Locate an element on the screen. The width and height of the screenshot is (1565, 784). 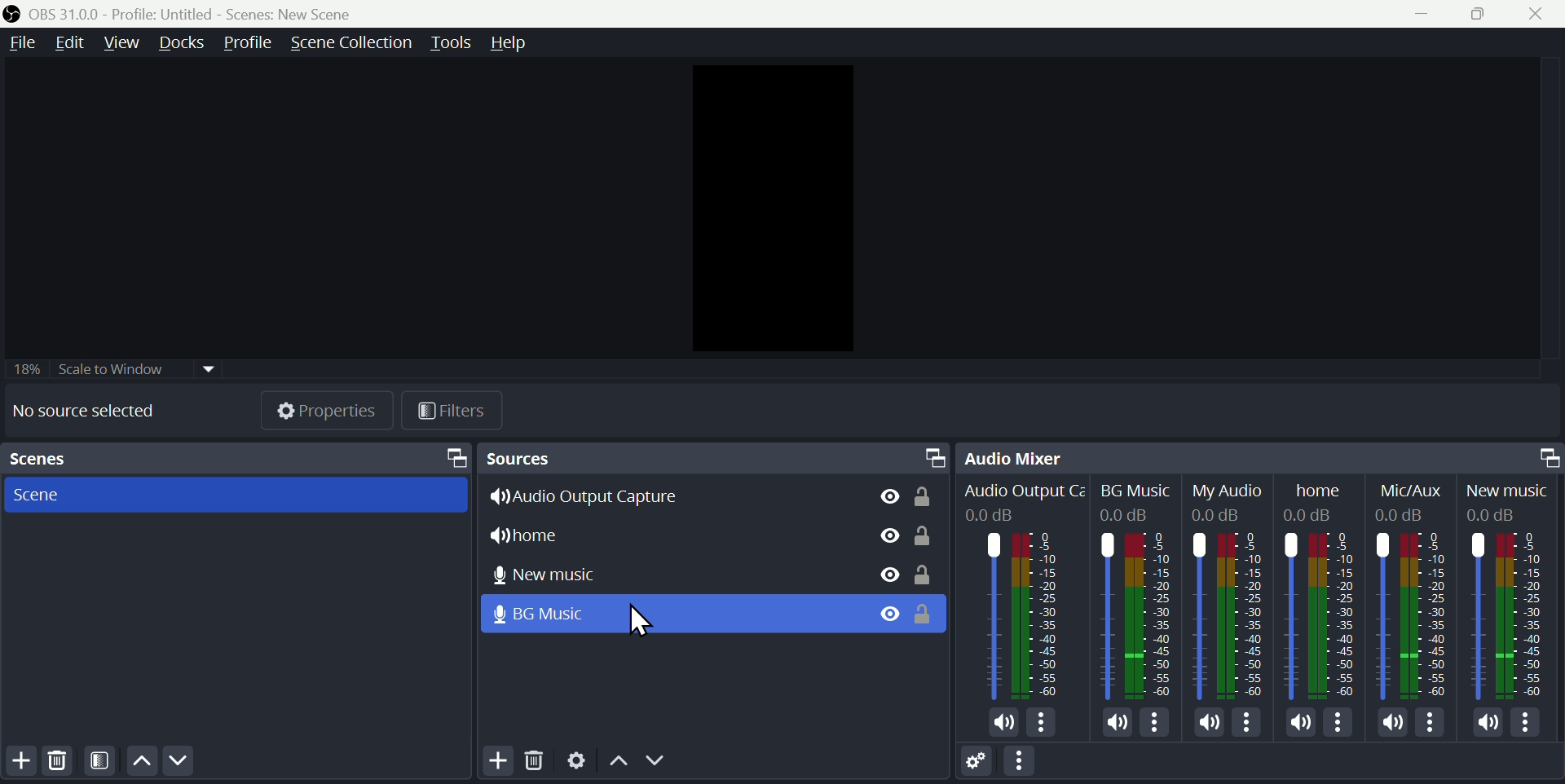
View is located at coordinates (878, 493).